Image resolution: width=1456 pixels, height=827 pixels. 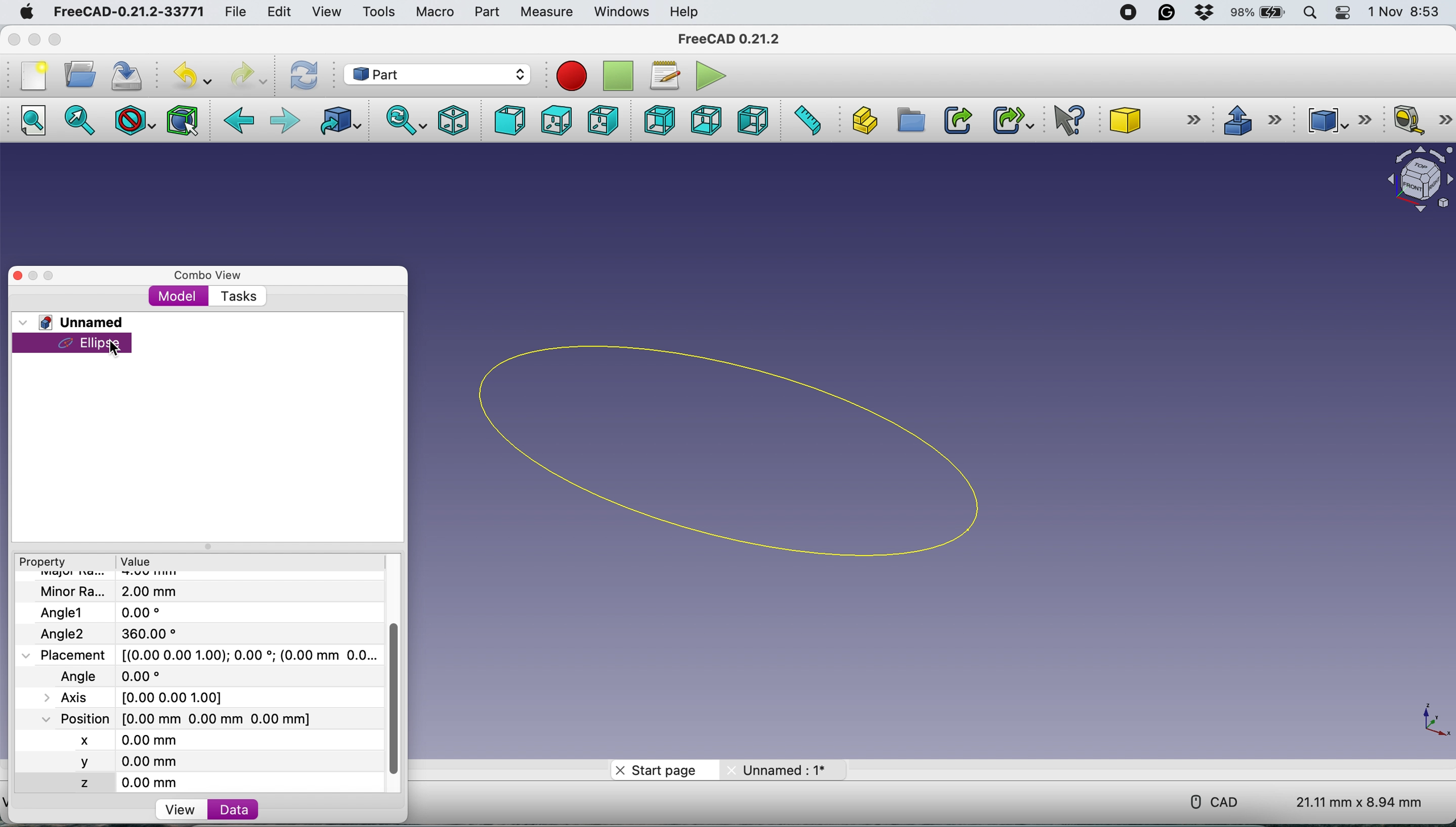 What do you see at coordinates (115, 592) in the screenshot?
I see `file name` at bounding box center [115, 592].